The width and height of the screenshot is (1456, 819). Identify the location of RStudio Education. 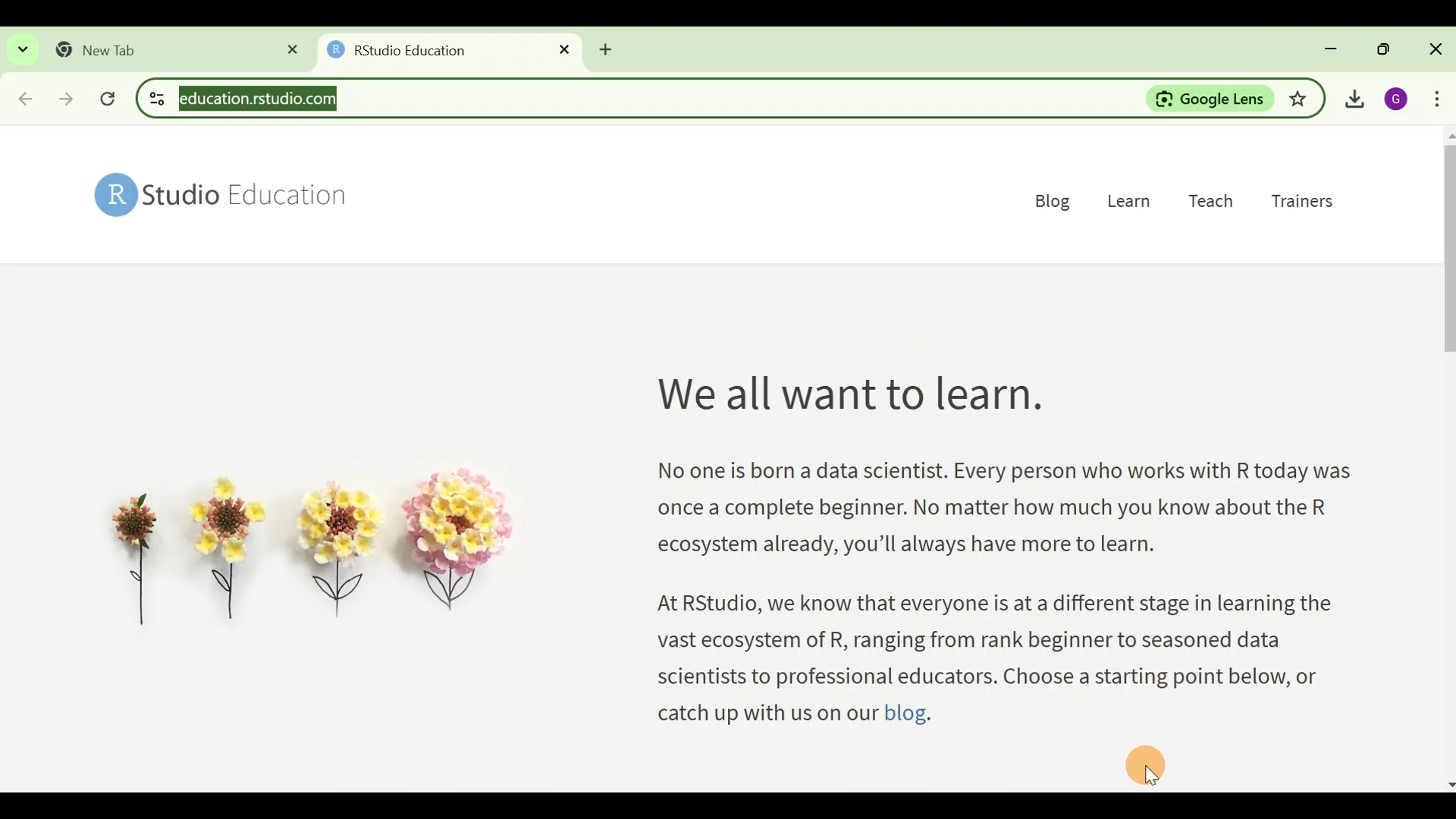
(229, 196).